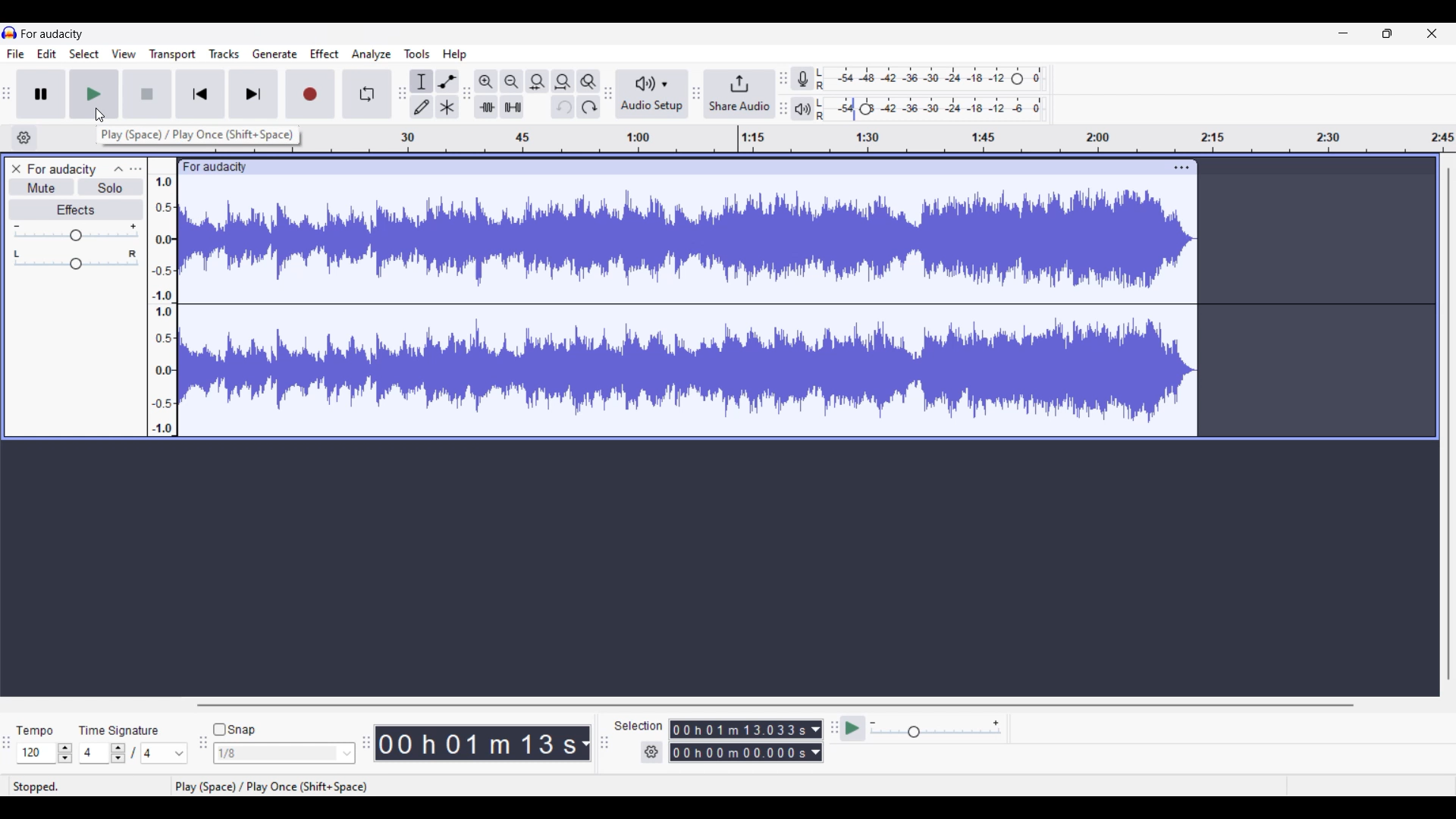 The image size is (1456, 819). I want to click on Duration measurement options, so click(585, 743).